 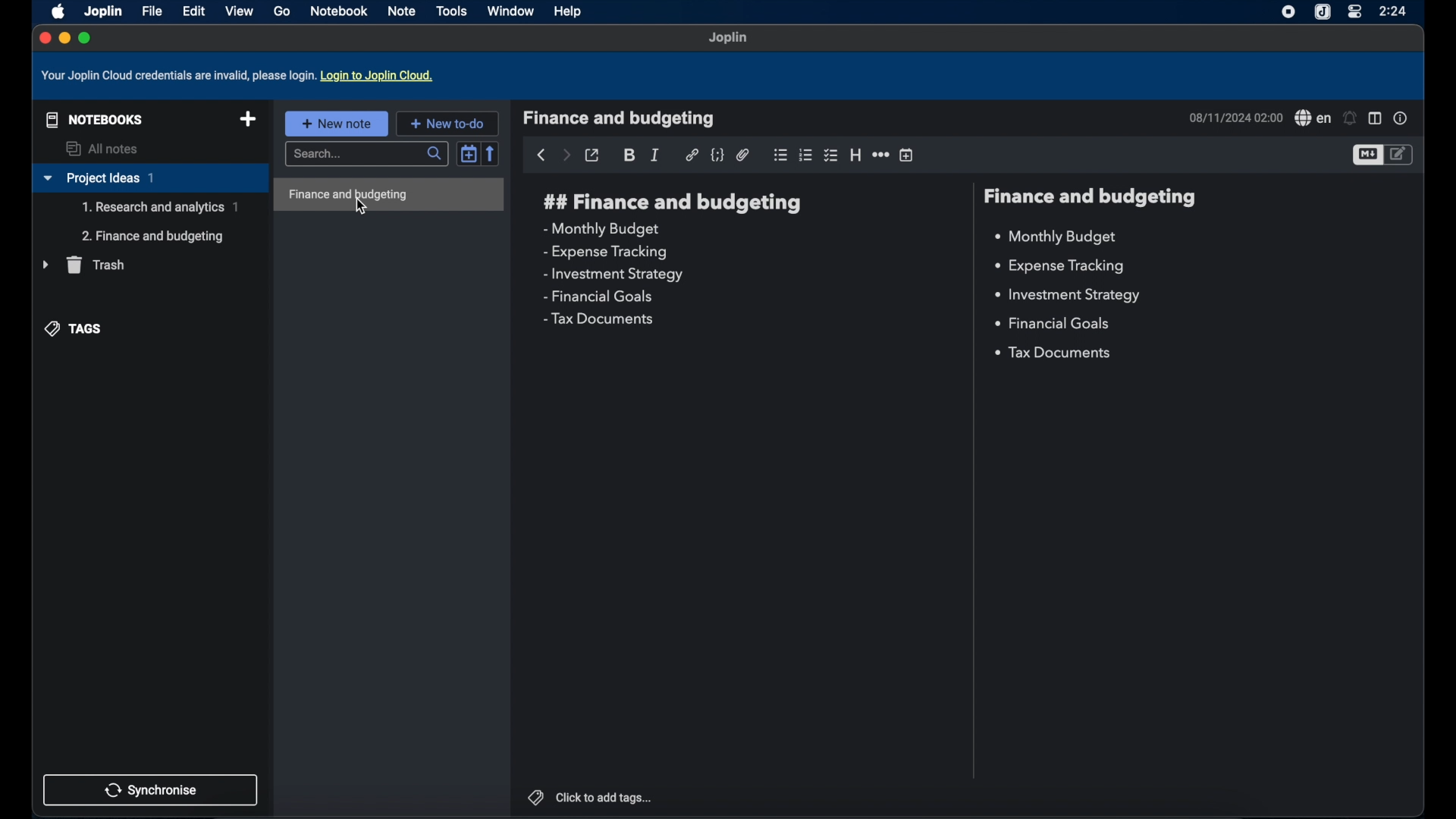 I want to click on cursor, so click(x=361, y=207).